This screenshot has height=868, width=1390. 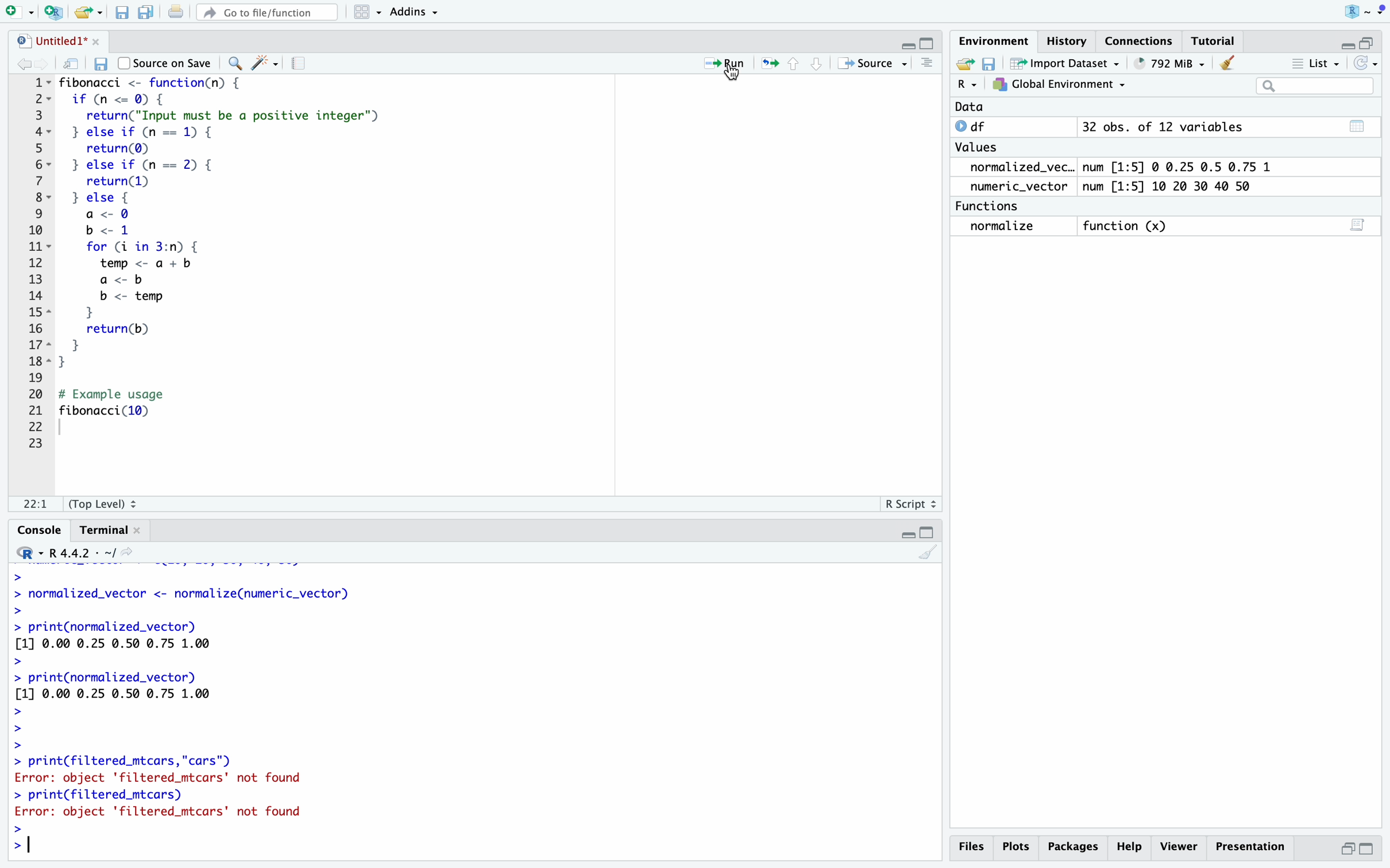 What do you see at coordinates (1359, 223) in the screenshot?
I see `script editor` at bounding box center [1359, 223].